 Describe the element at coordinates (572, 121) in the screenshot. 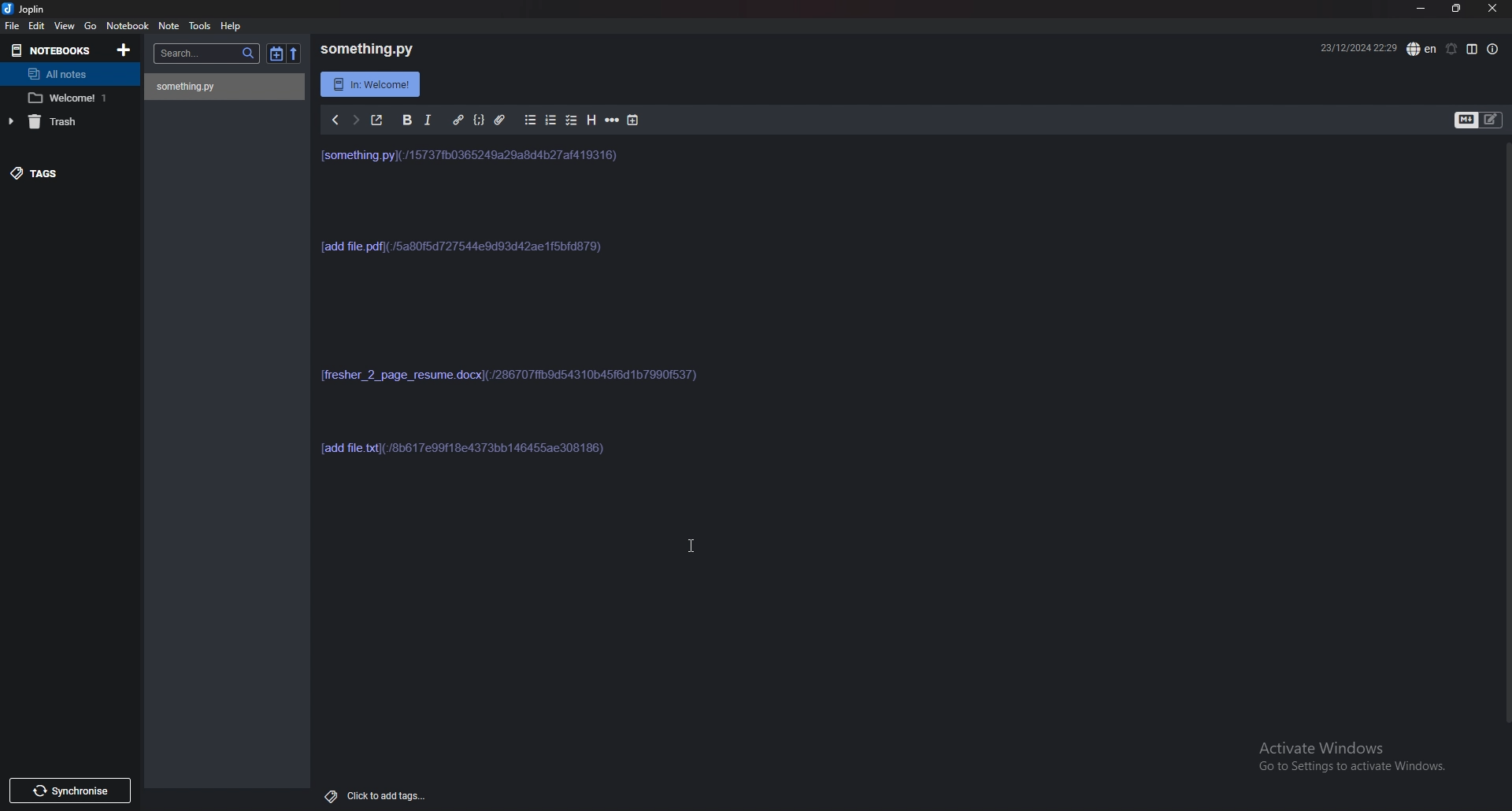

I see `Checkbox` at that location.